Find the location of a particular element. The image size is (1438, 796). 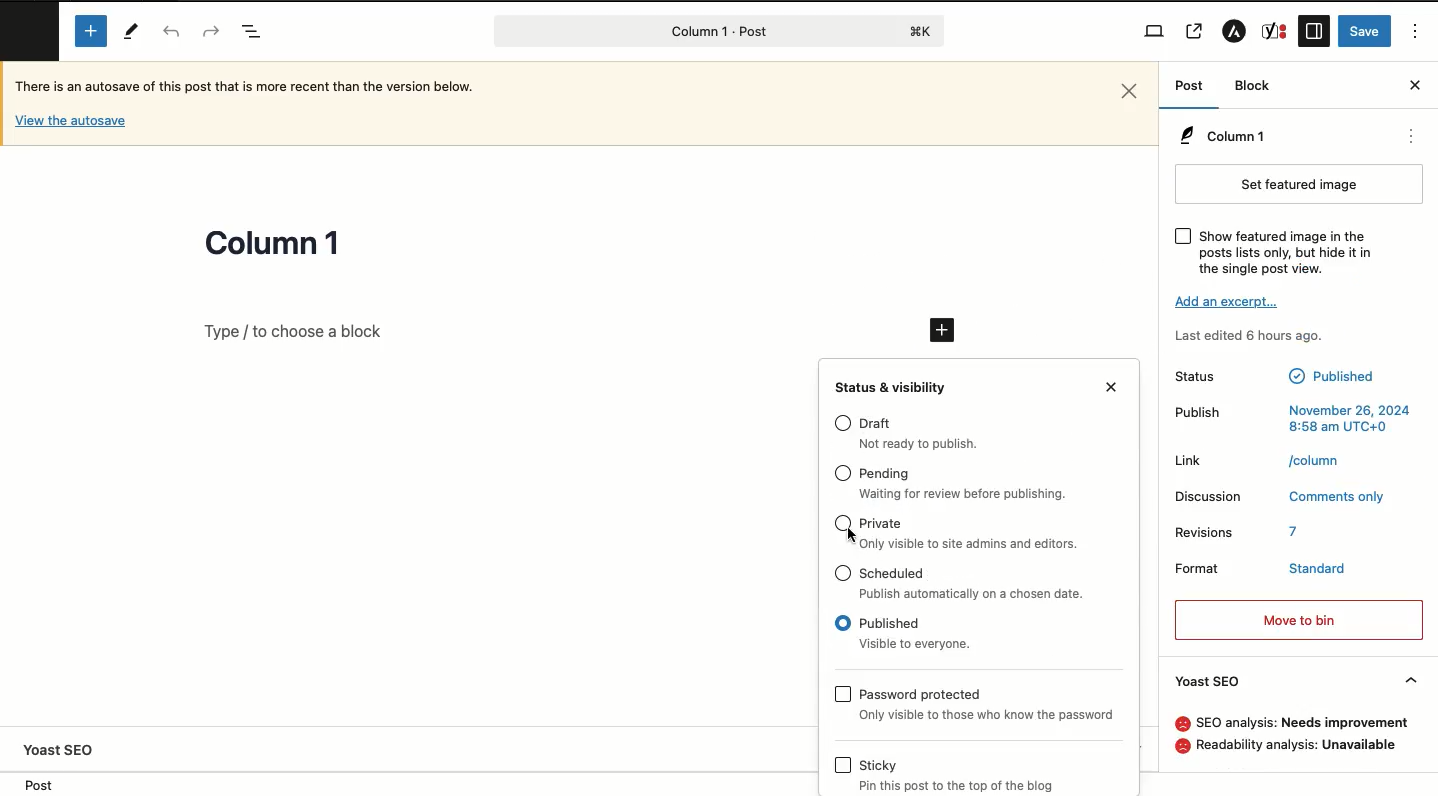

Private is located at coordinates (881, 524).